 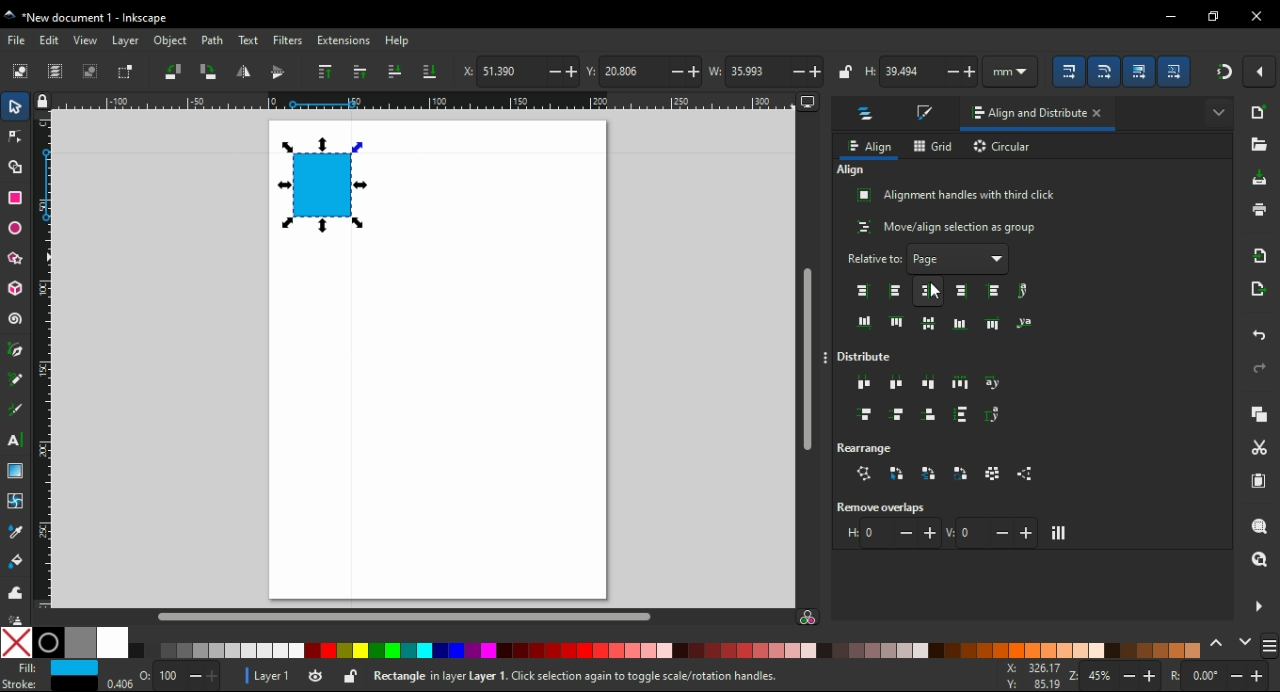 I want to click on color palette, so click(x=668, y=651).